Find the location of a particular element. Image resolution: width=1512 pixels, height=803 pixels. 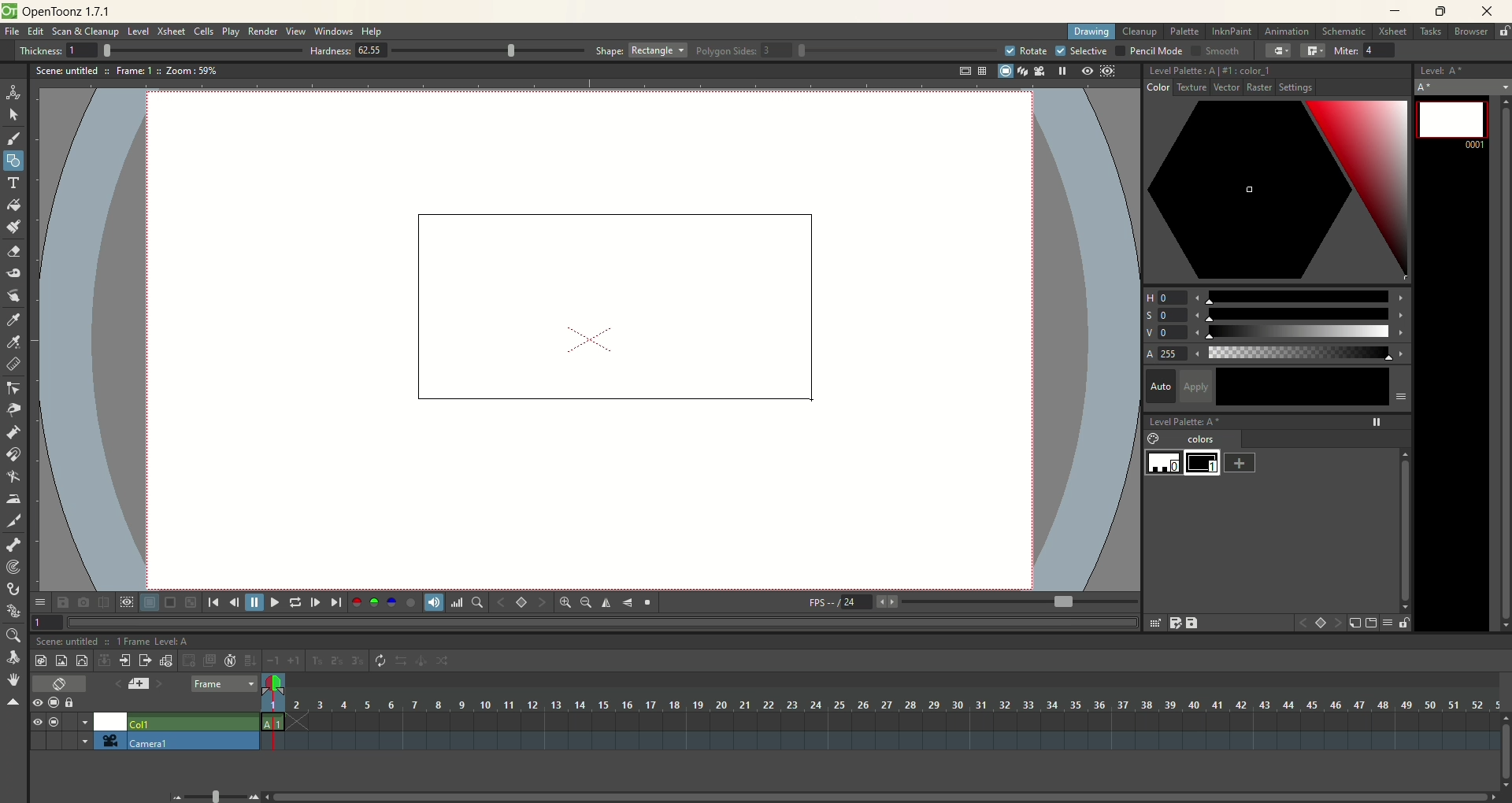

colors is located at coordinates (1195, 440).